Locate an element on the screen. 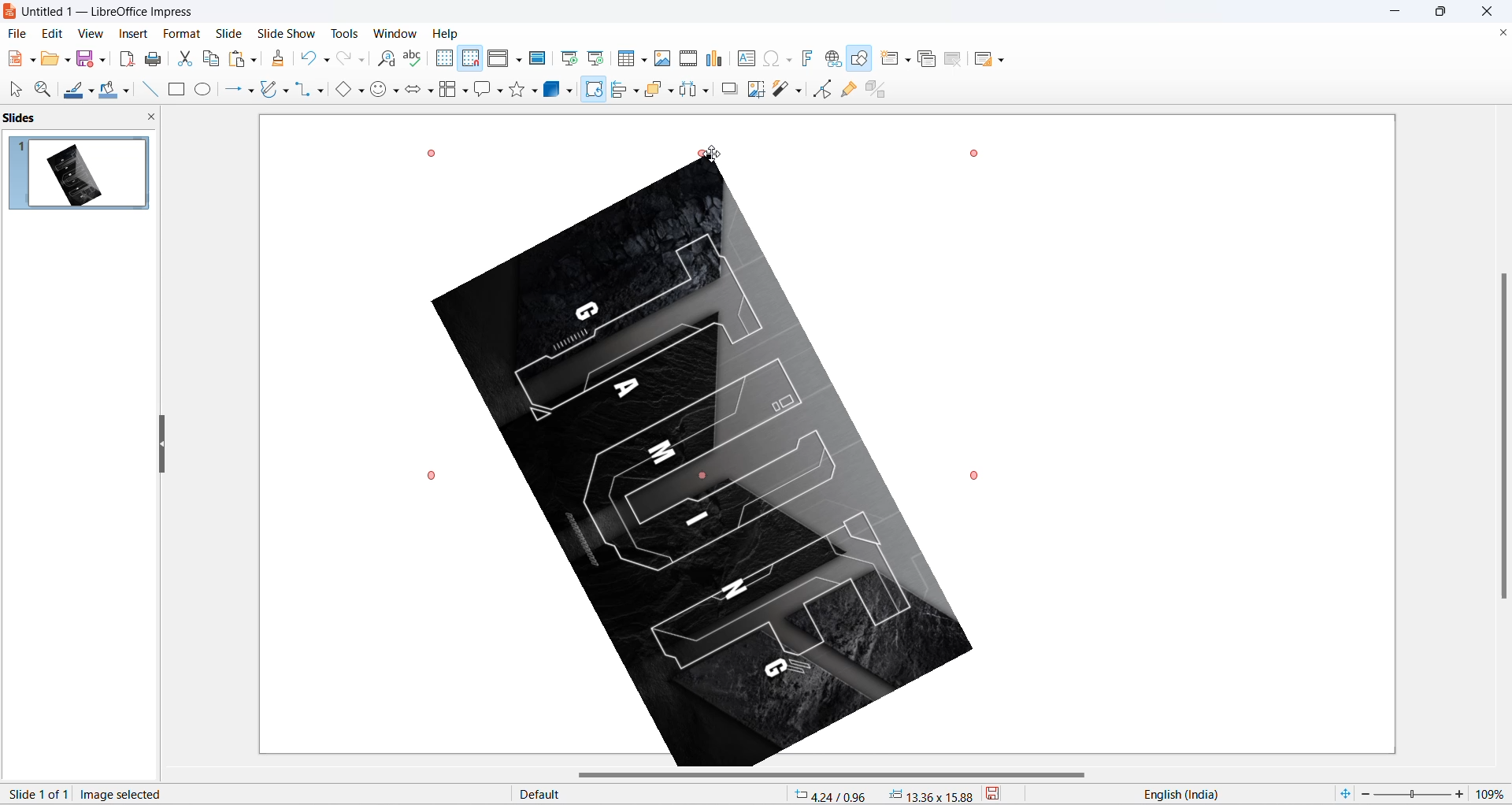 Image resolution: width=1512 pixels, height=805 pixels. line and arrows options is located at coordinates (250, 91).